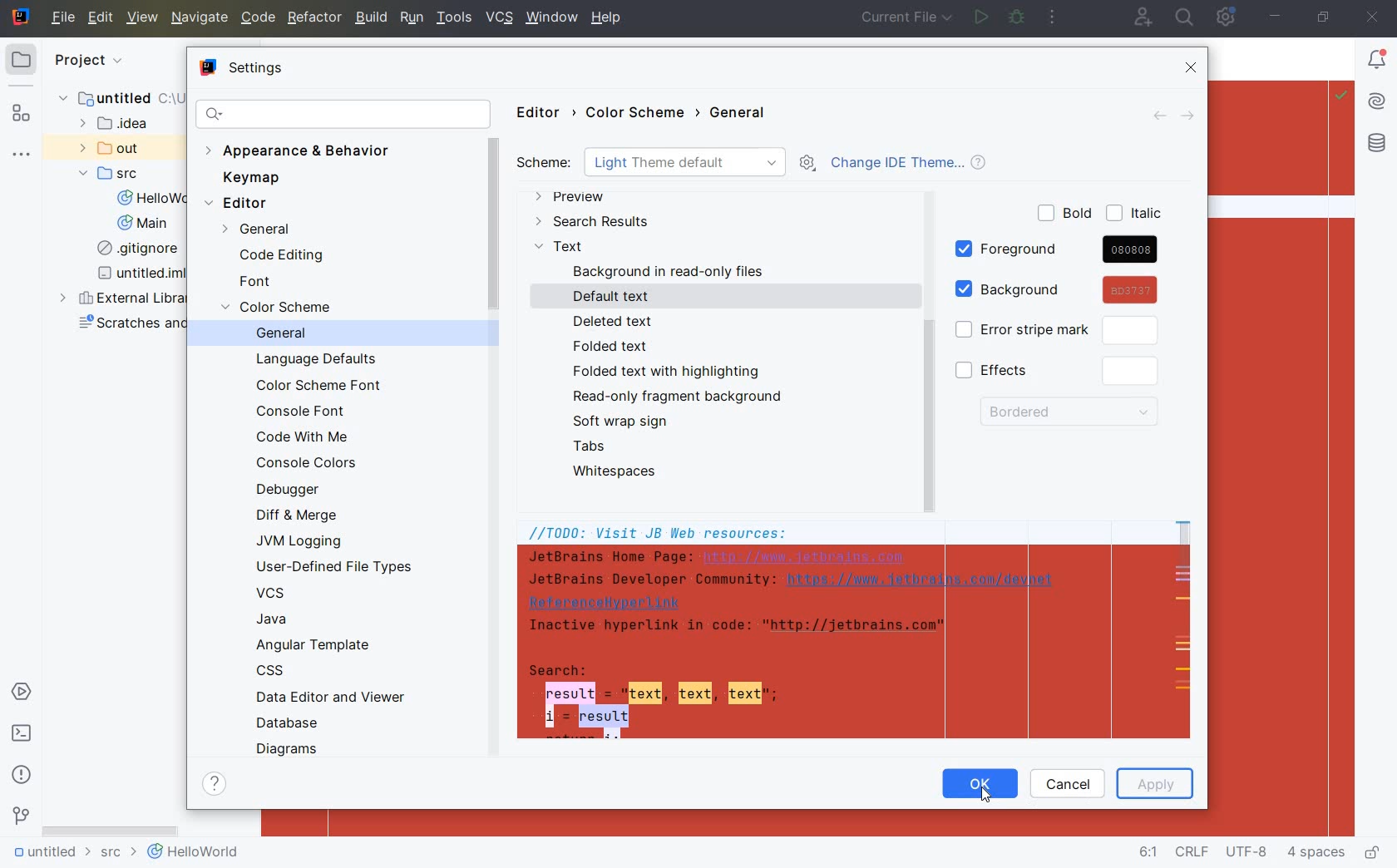 This screenshot has height=868, width=1397. Describe the element at coordinates (131, 326) in the screenshot. I see `scratches and consoles` at that location.